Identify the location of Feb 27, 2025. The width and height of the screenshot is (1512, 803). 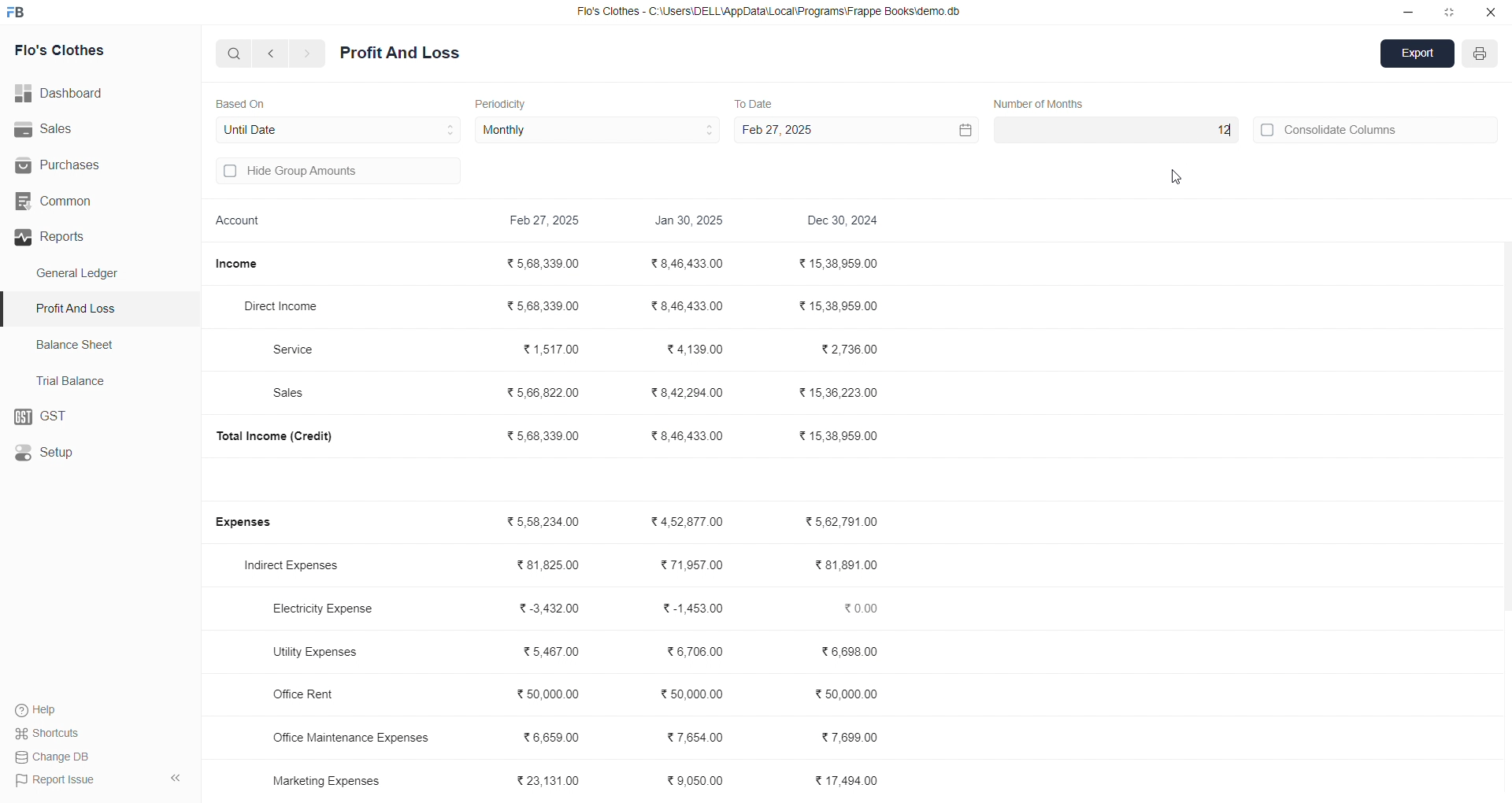
(547, 222).